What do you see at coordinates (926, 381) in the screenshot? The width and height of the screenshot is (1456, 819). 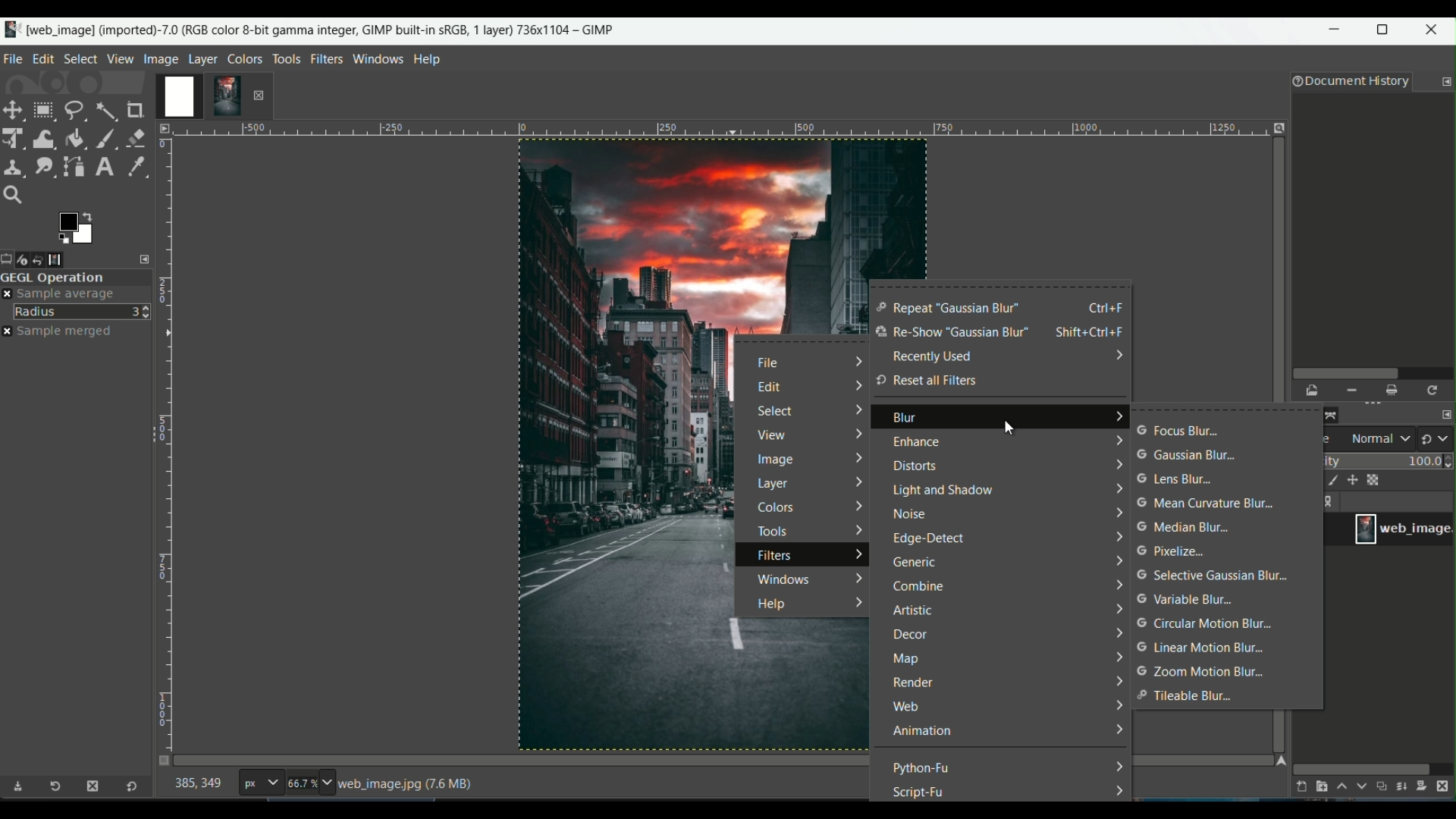 I see `reset all filters` at bounding box center [926, 381].